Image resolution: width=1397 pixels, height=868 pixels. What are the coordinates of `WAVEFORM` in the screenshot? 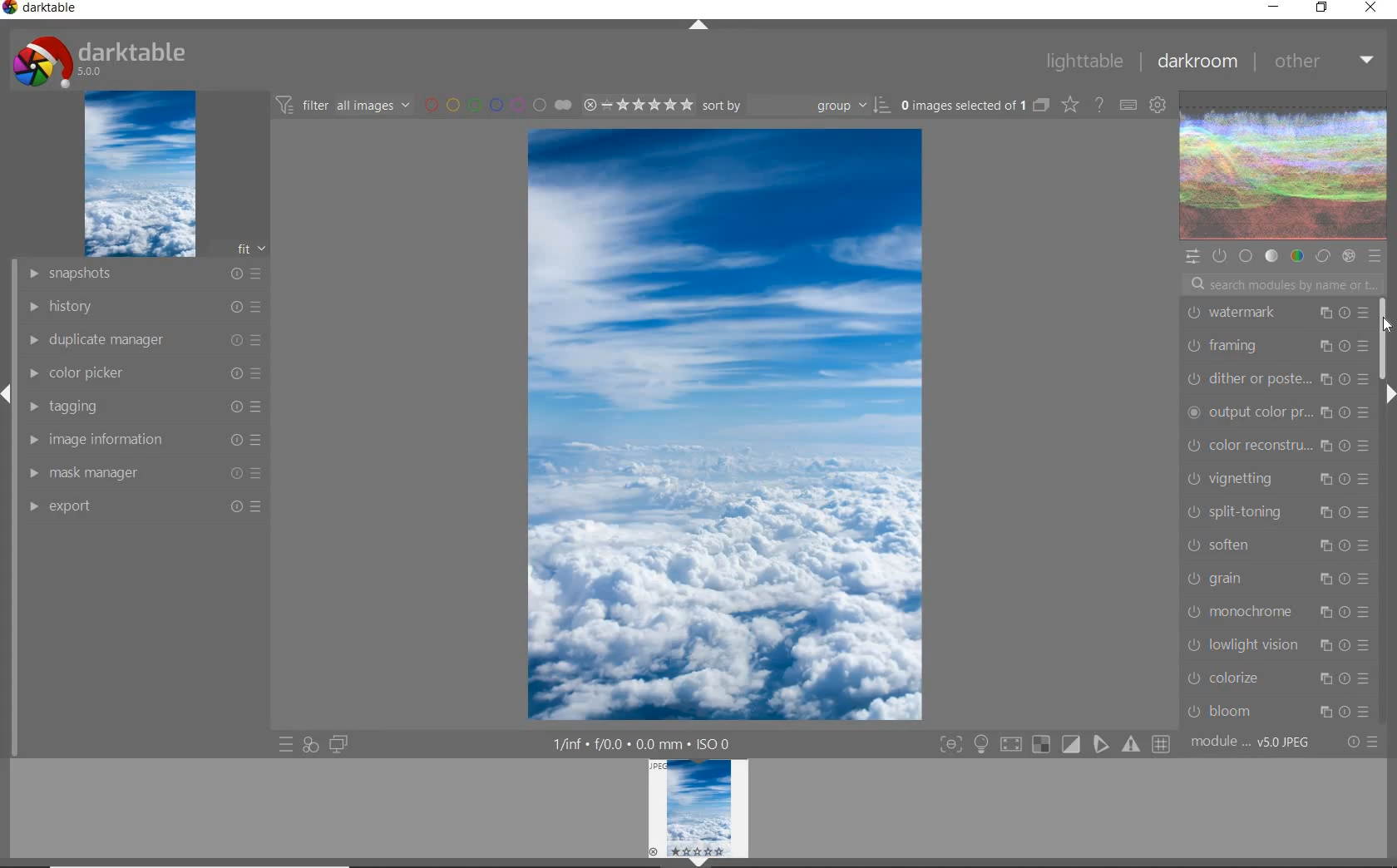 It's located at (1284, 166).